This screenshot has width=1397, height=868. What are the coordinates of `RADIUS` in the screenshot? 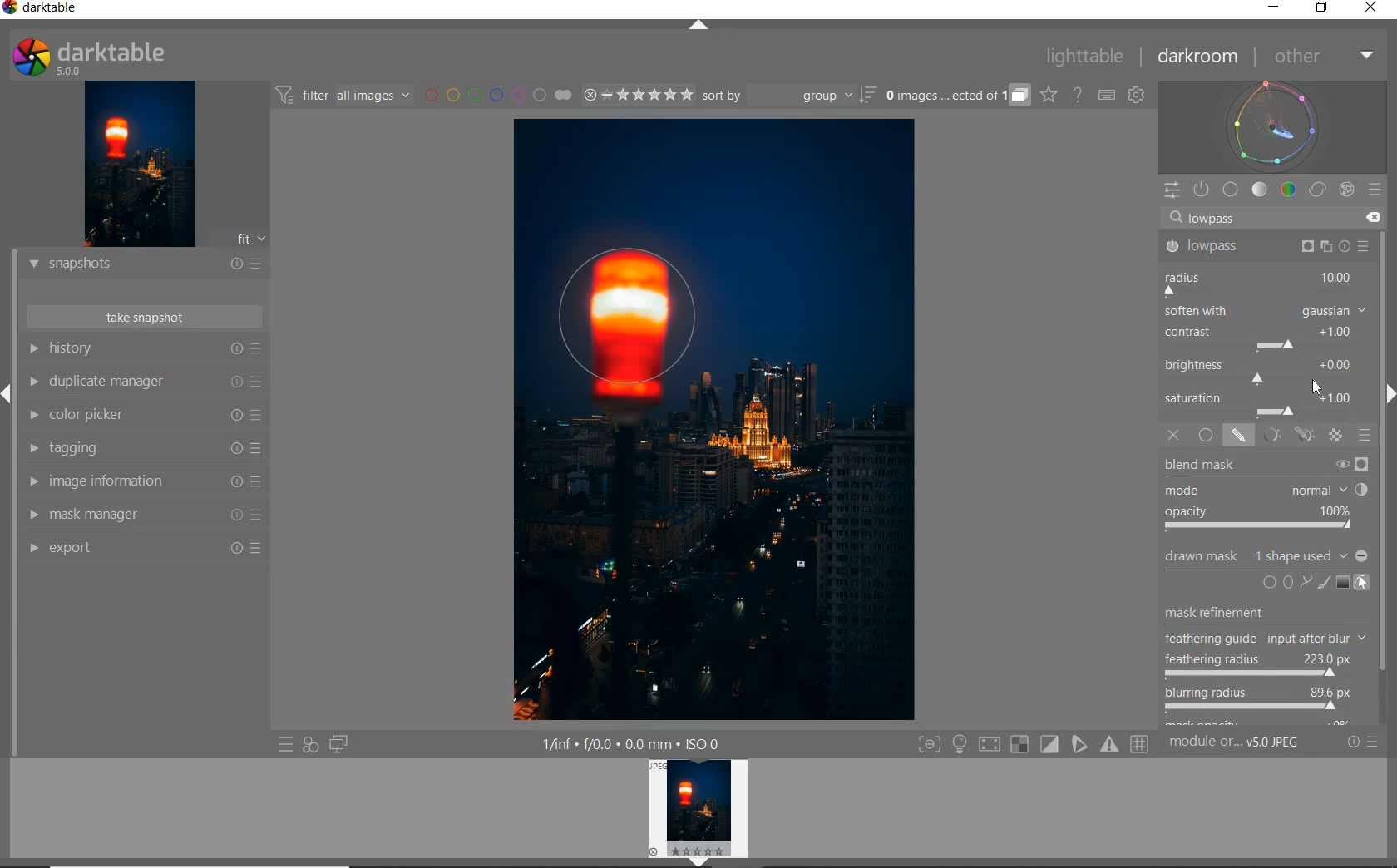 It's located at (1263, 282).